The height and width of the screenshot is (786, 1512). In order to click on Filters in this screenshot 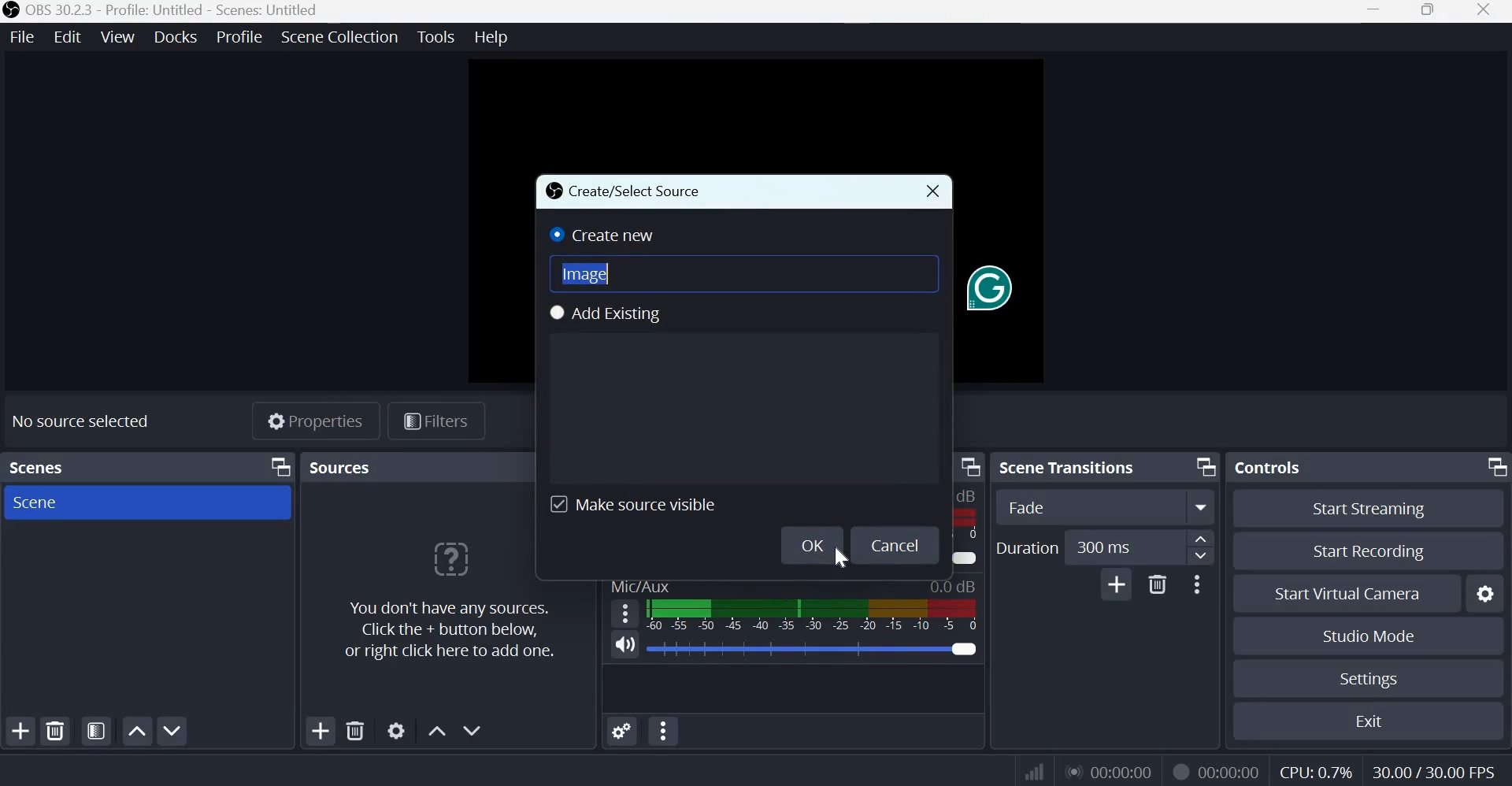, I will do `click(438, 418)`.